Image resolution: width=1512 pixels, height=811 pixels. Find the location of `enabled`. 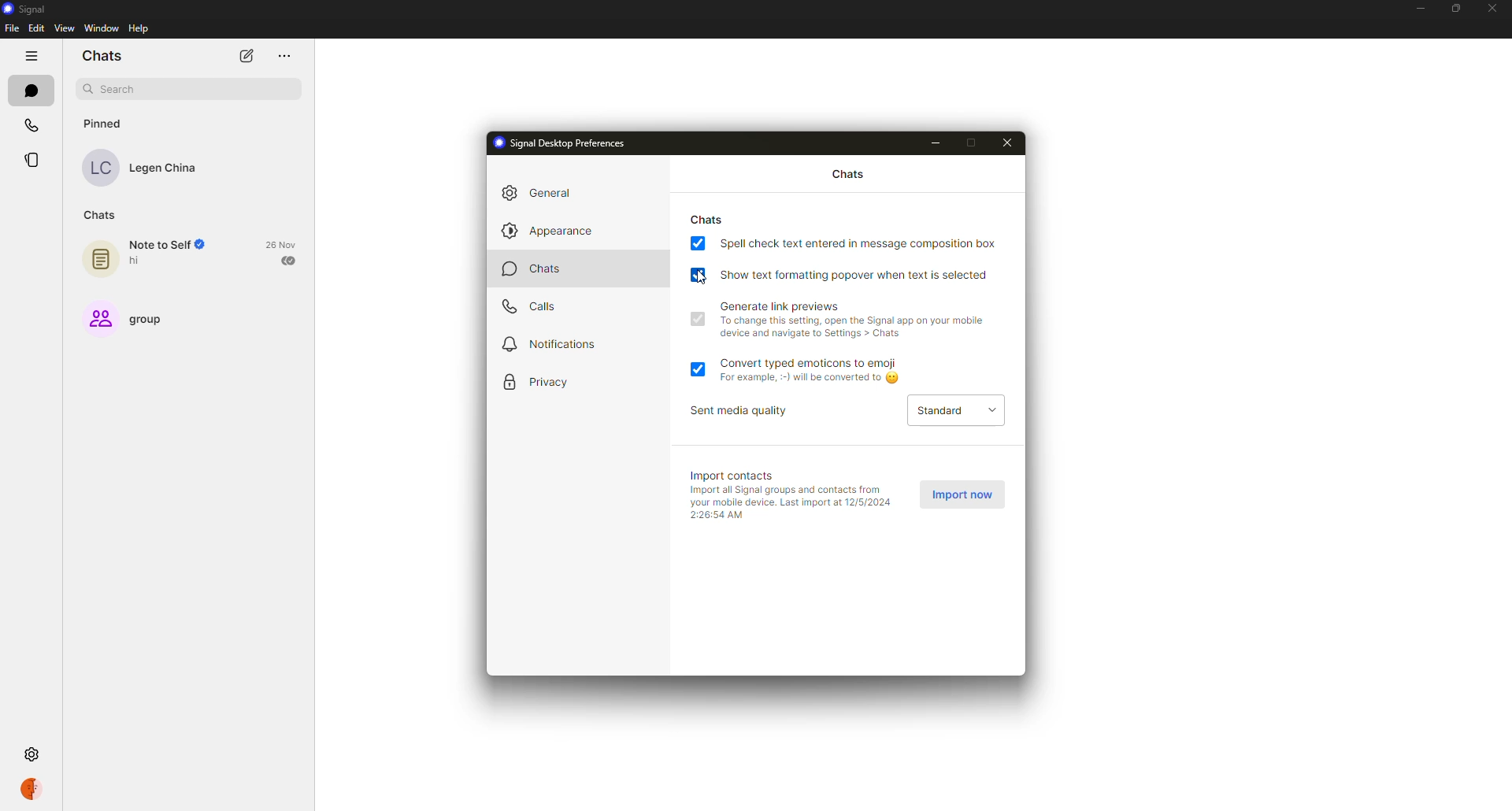

enabled is located at coordinates (698, 244).